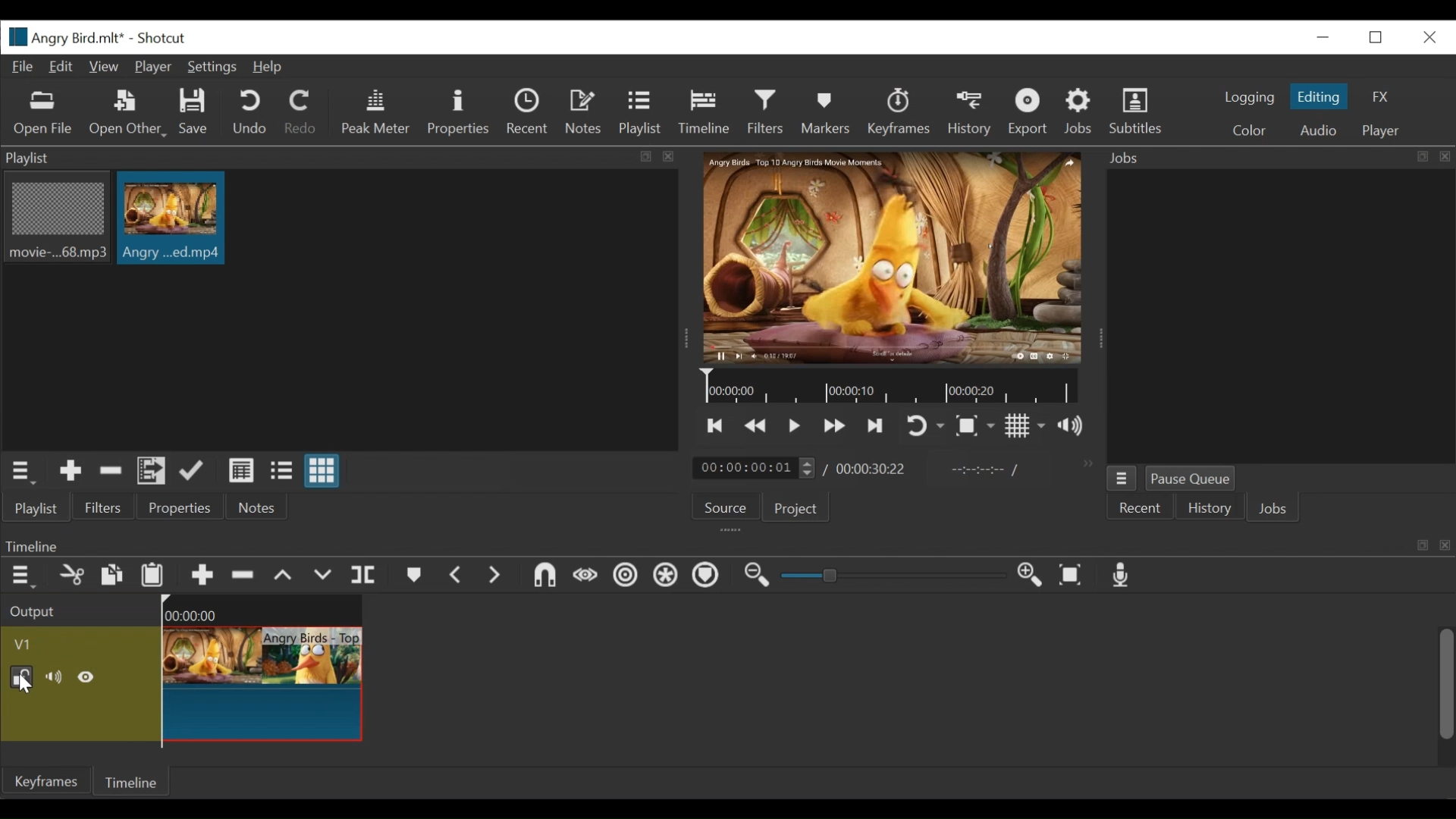 The height and width of the screenshot is (819, 1456). What do you see at coordinates (529, 114) in the screenshot?
I see `Recent` at bounding box center [529, 114].